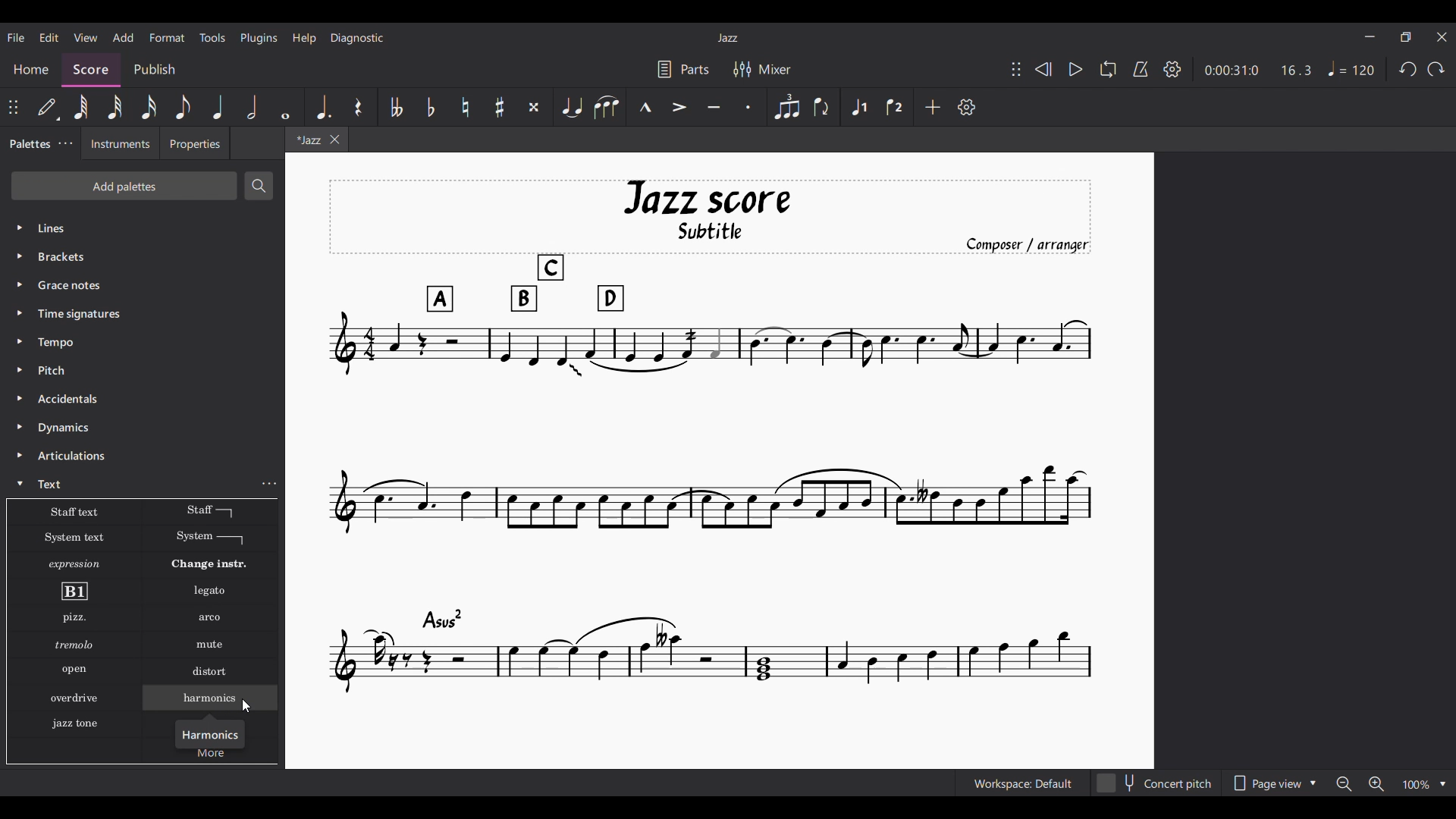 The width and height of the screenshot is (1456, 819). Describe the element at coordinates (1043, 69) in the screenshot. I see `Rewind` at that location.